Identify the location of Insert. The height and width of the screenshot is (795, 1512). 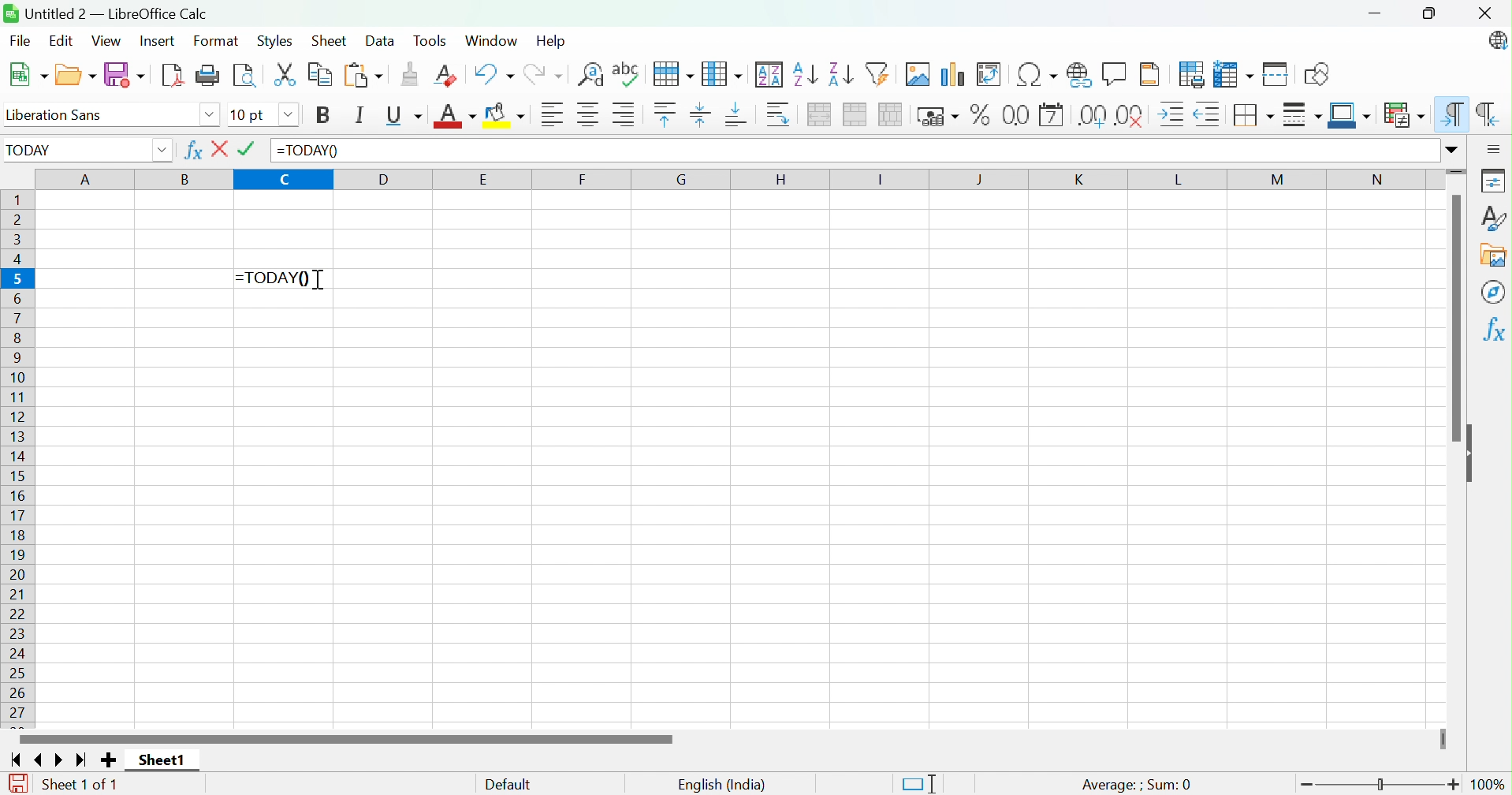
(157, 40).